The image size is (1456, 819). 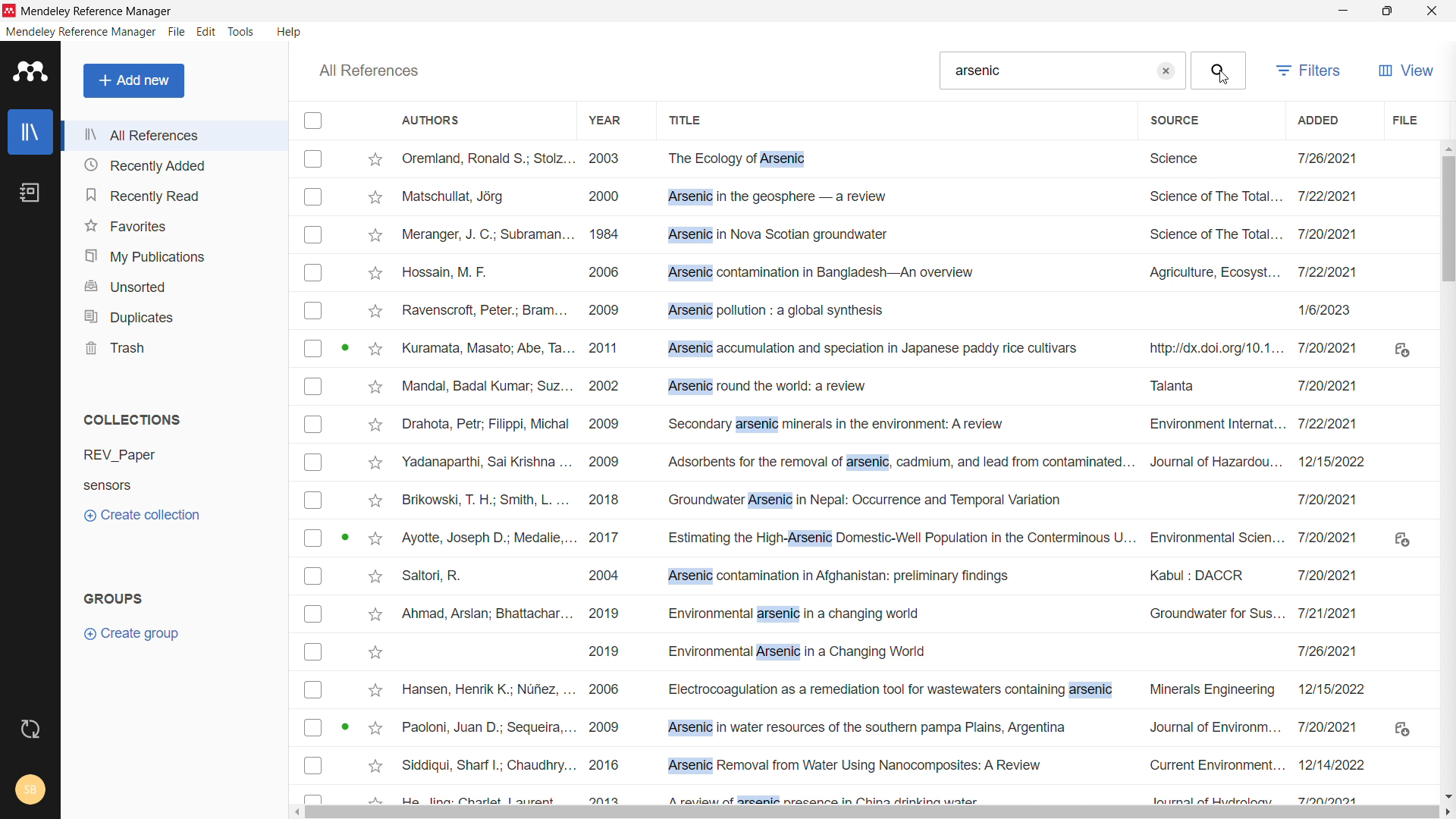 What do you see at coordinates (133, 81) in the screenshot?
I see `add new` at bounding box center [133, 81].